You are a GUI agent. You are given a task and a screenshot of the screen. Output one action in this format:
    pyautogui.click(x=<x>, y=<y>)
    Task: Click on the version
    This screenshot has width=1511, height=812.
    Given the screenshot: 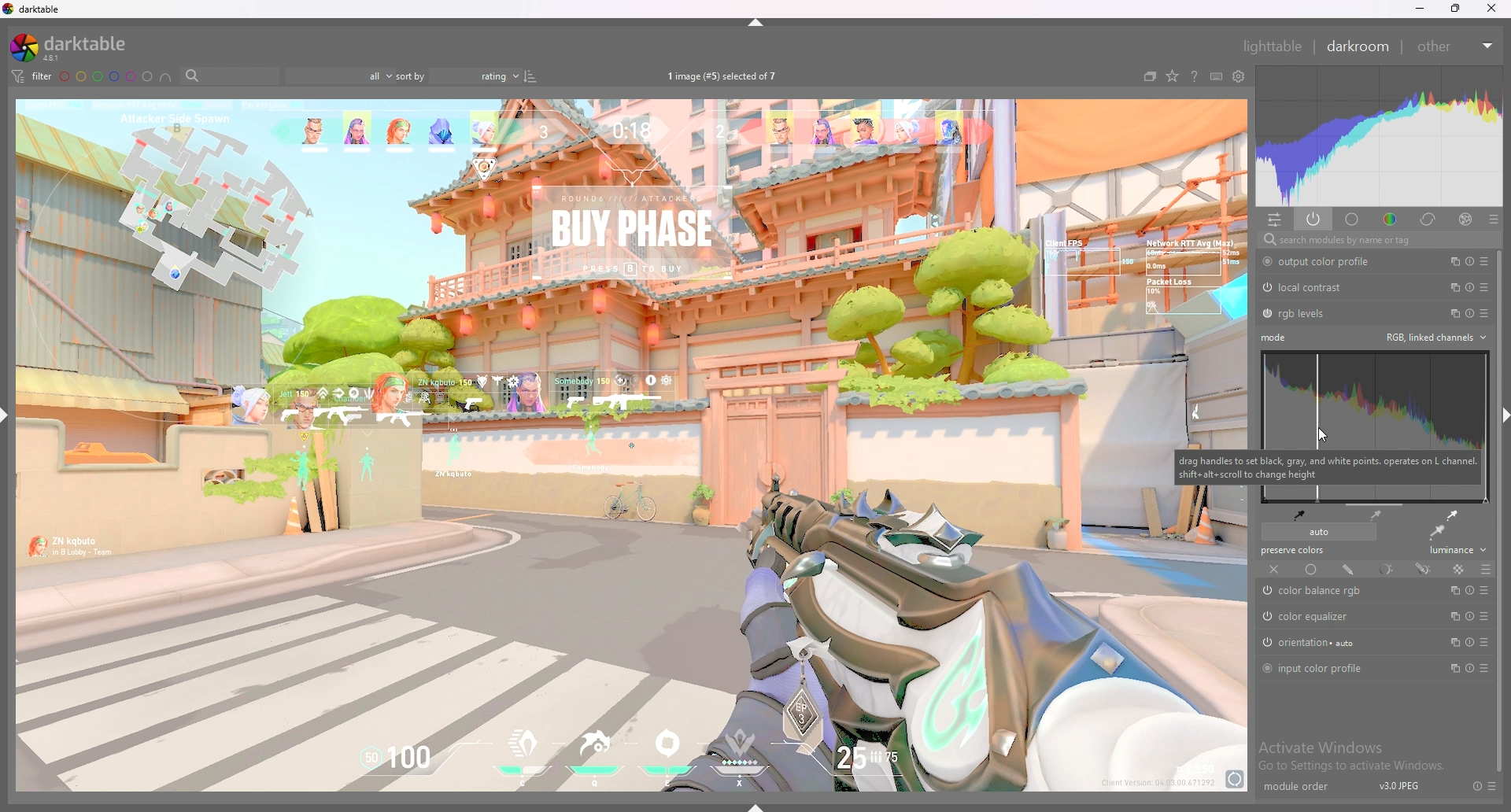 What is the action you would take?
    pyautogui.click(x=1400, y=788)
    